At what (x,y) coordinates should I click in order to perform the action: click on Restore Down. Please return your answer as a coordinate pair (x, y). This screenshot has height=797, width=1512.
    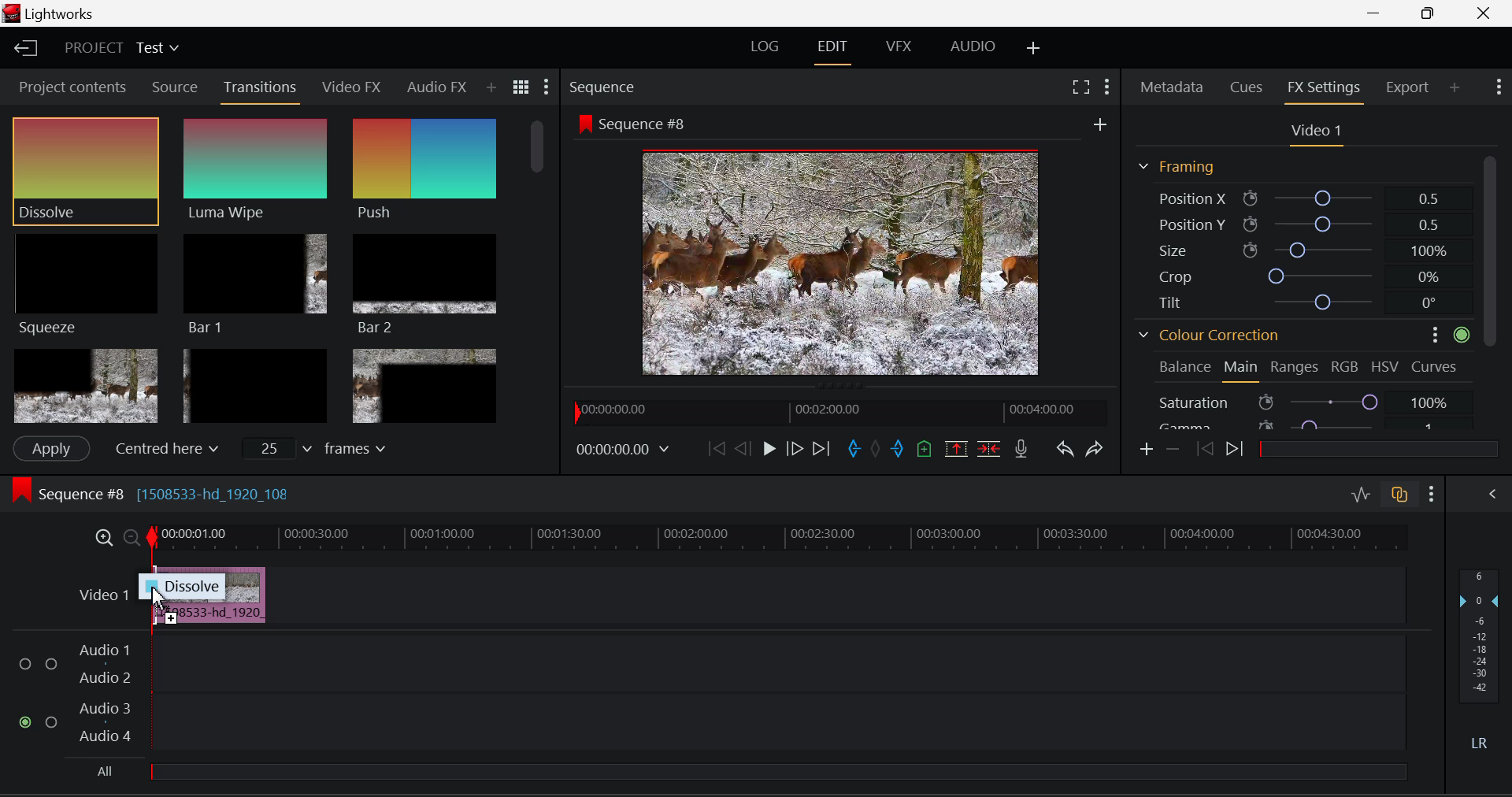
    Looking at the image, I should click on (1377, 13).